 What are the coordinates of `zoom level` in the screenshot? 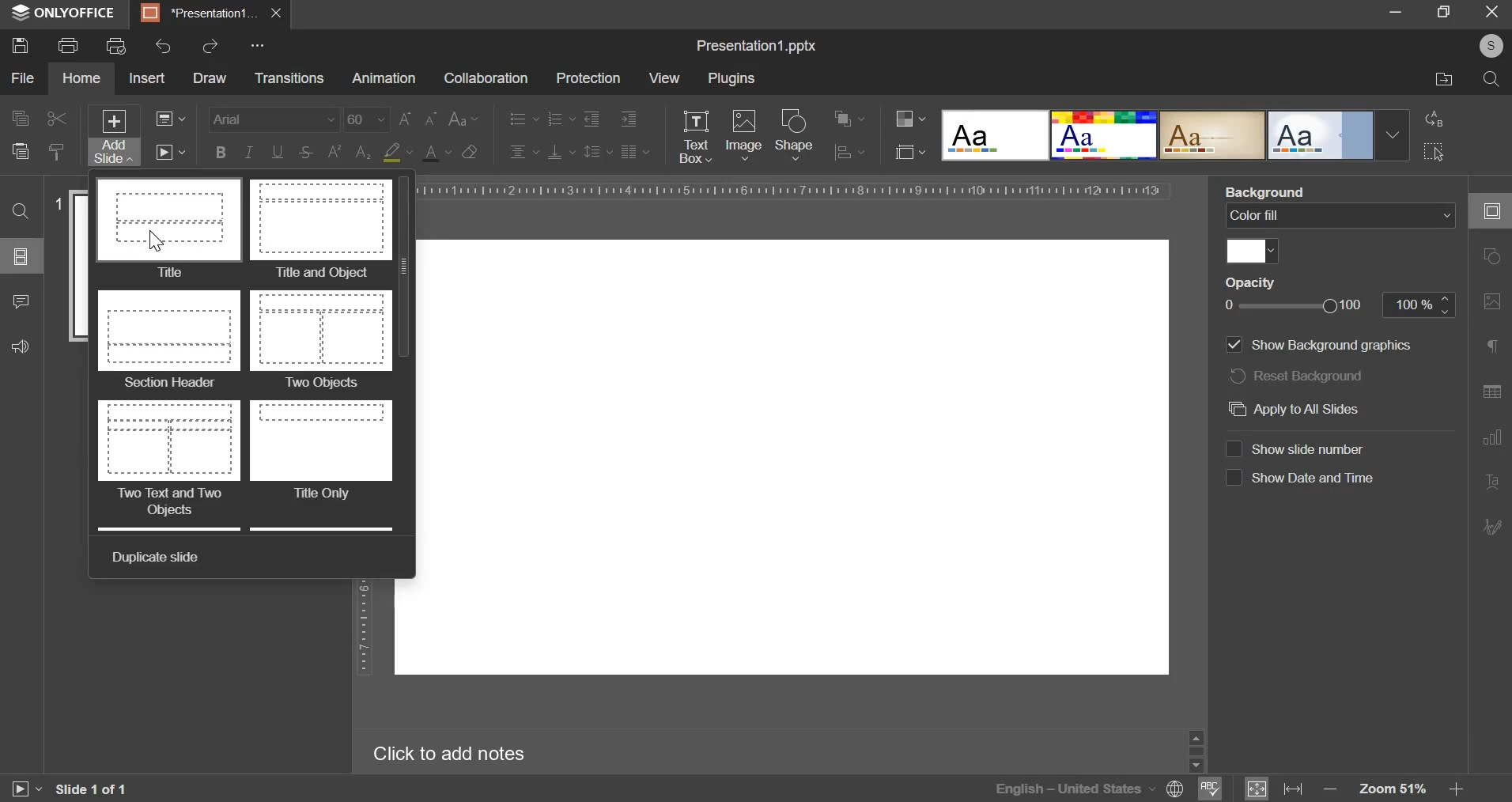 It's located at (1396, 789).